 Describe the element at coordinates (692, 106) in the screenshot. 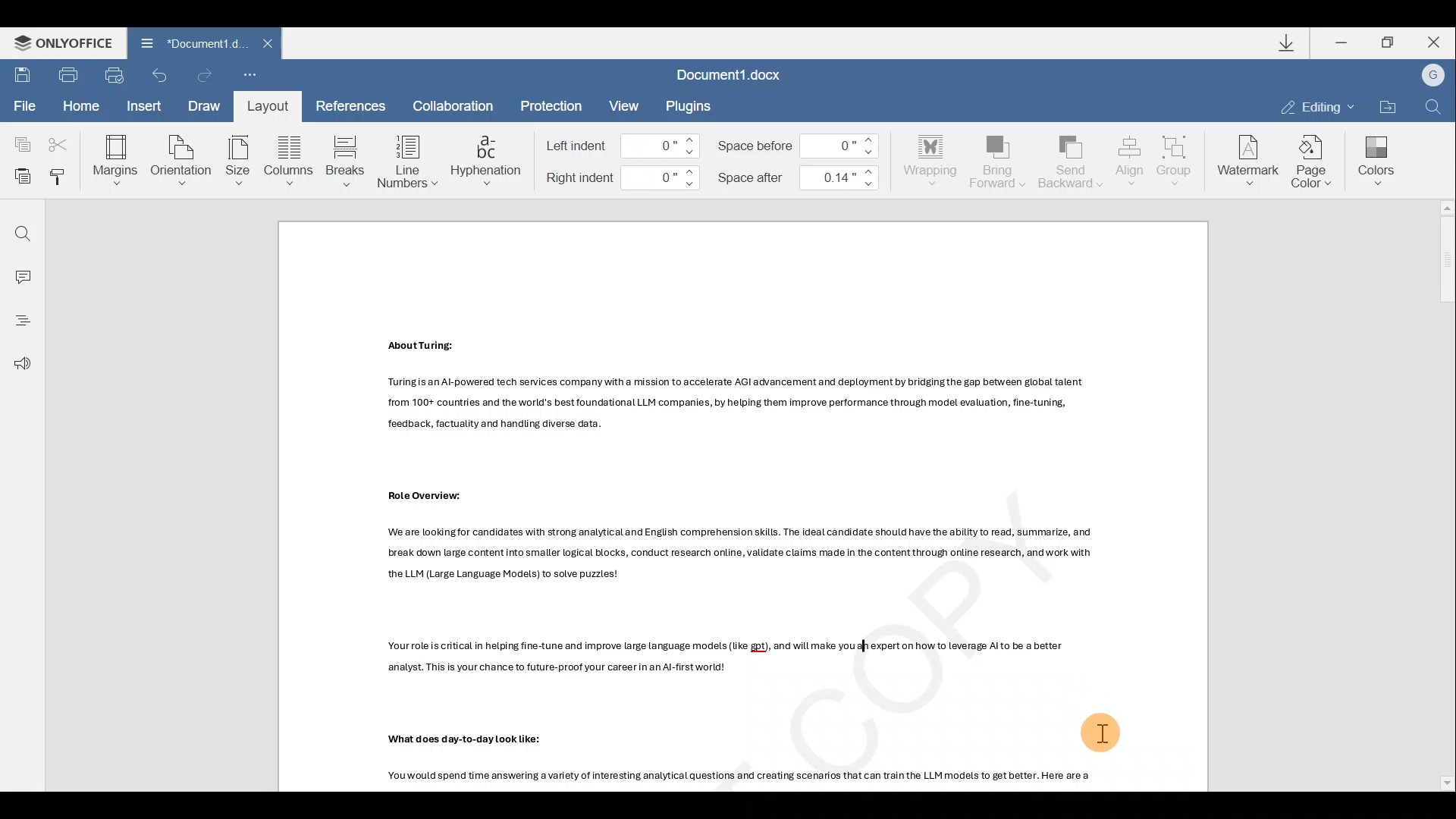

I see `Plugins` at that location.